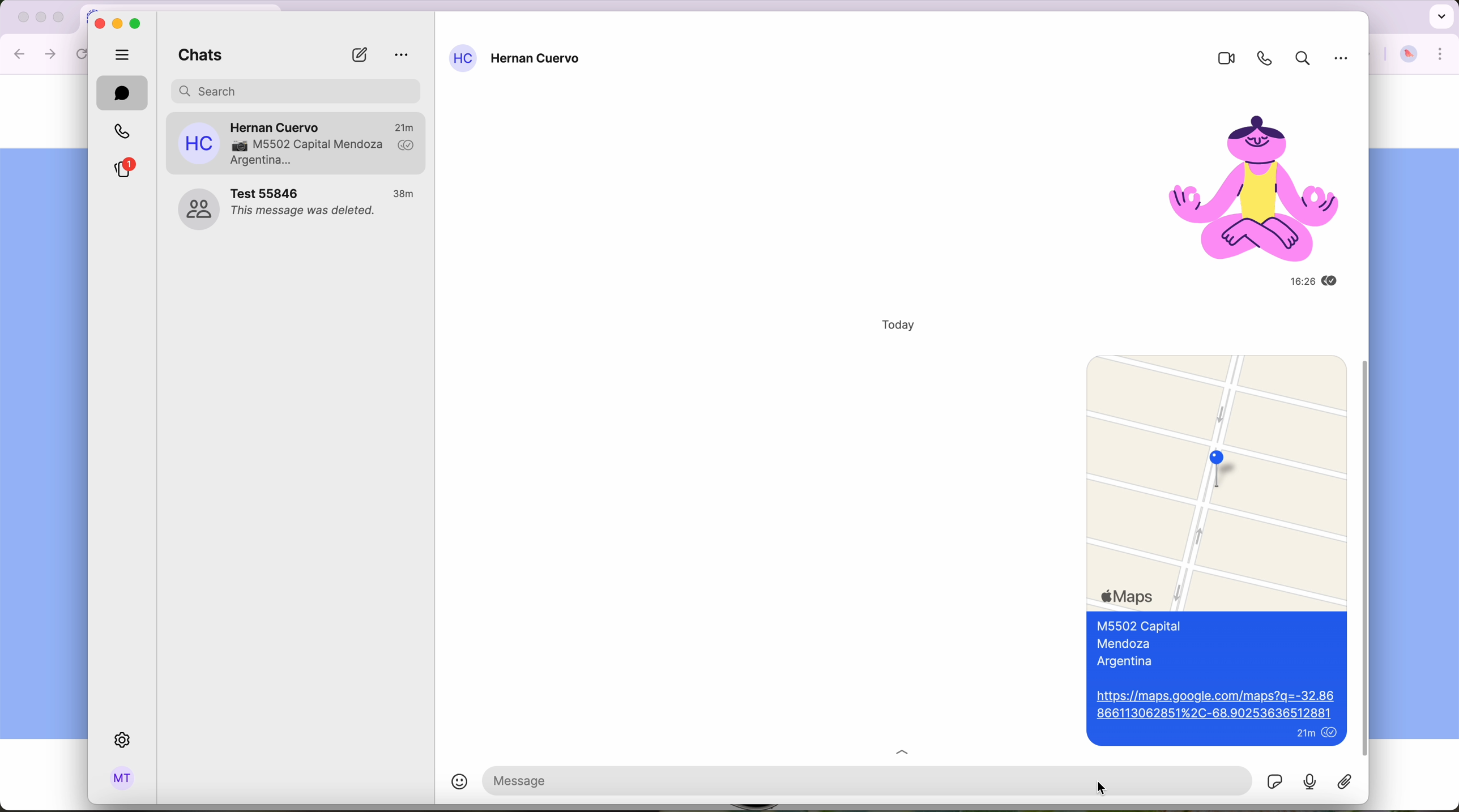  What do you see at coordinates (407, 146) in the screenshot?
I see `delivered` at bounding box center [407, 146].